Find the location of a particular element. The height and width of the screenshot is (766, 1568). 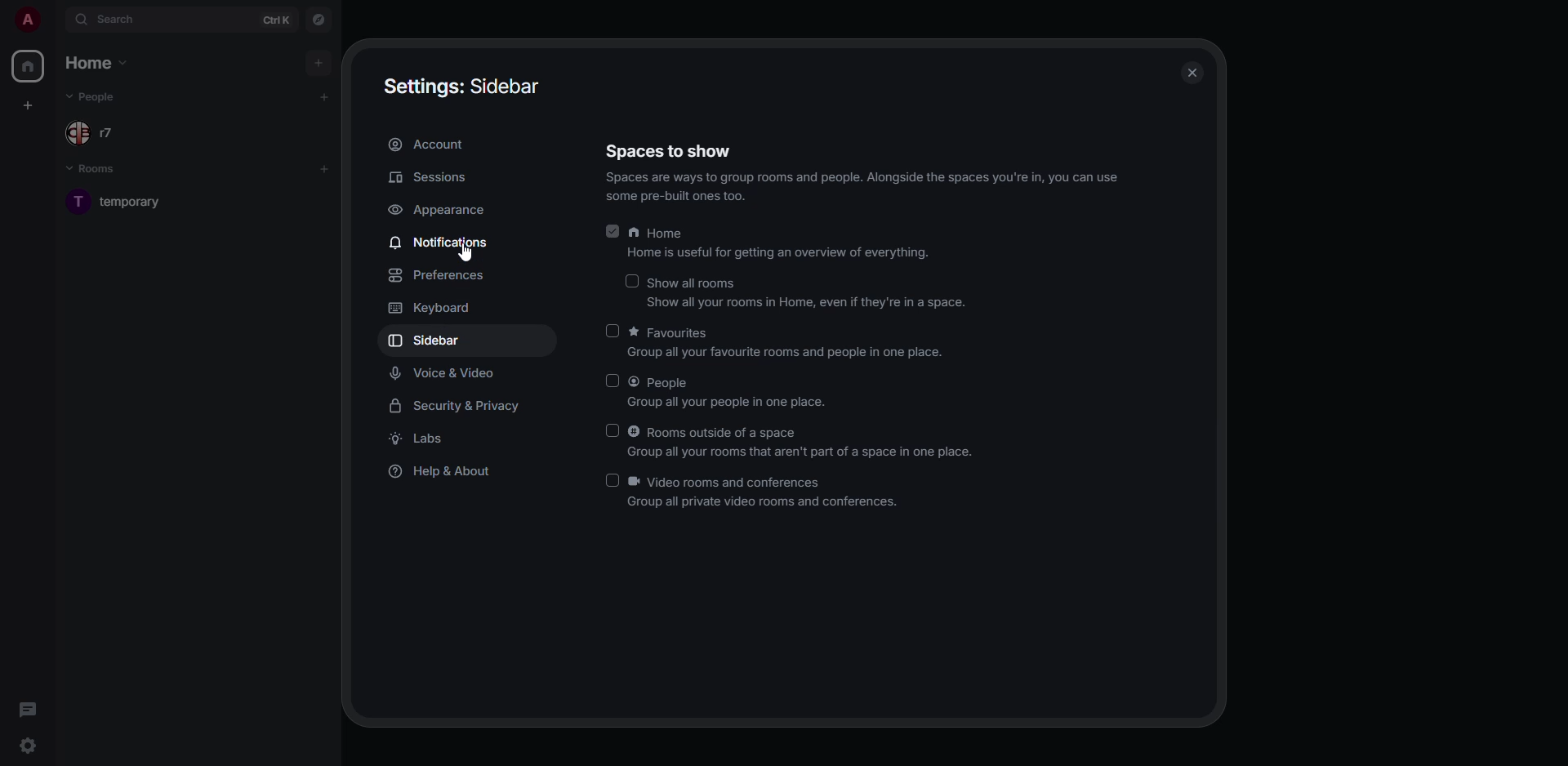

help & about is located at coordinates (443, 474).